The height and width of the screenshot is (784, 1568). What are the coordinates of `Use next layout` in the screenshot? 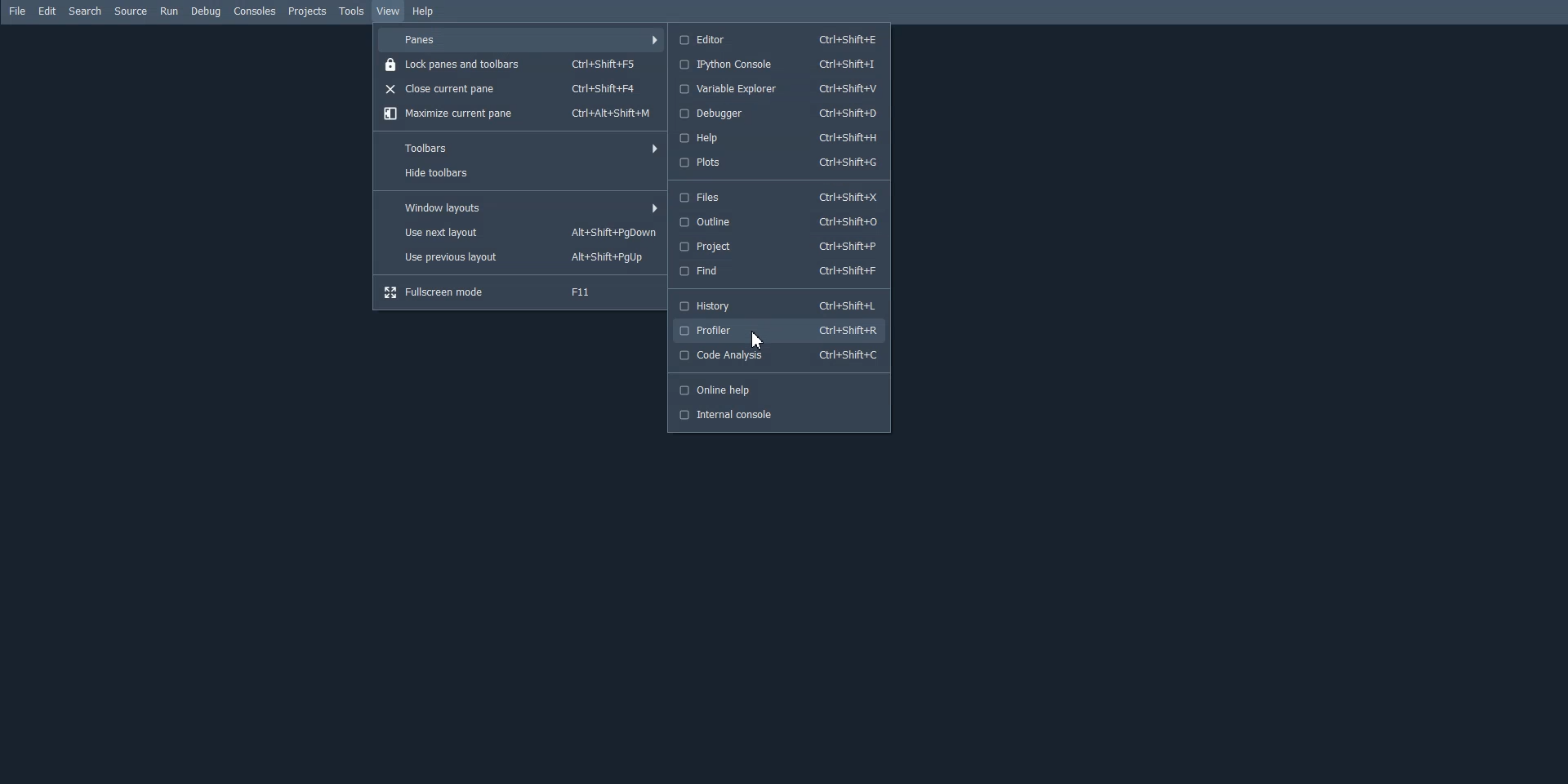 It's located at (522, 233).